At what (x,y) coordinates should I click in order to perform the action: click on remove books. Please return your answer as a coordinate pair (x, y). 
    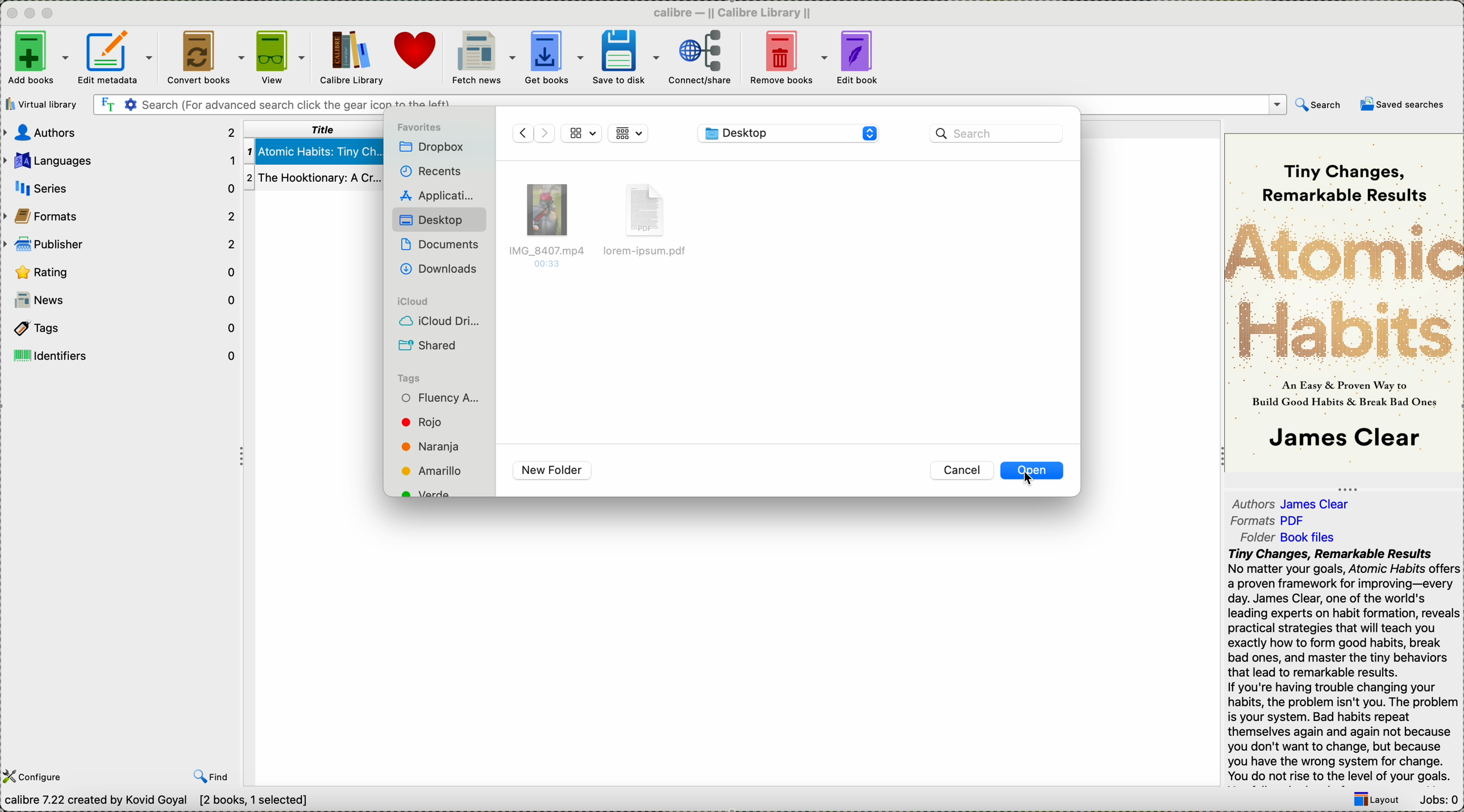
    Looking at the image, I should click on (788, 57).